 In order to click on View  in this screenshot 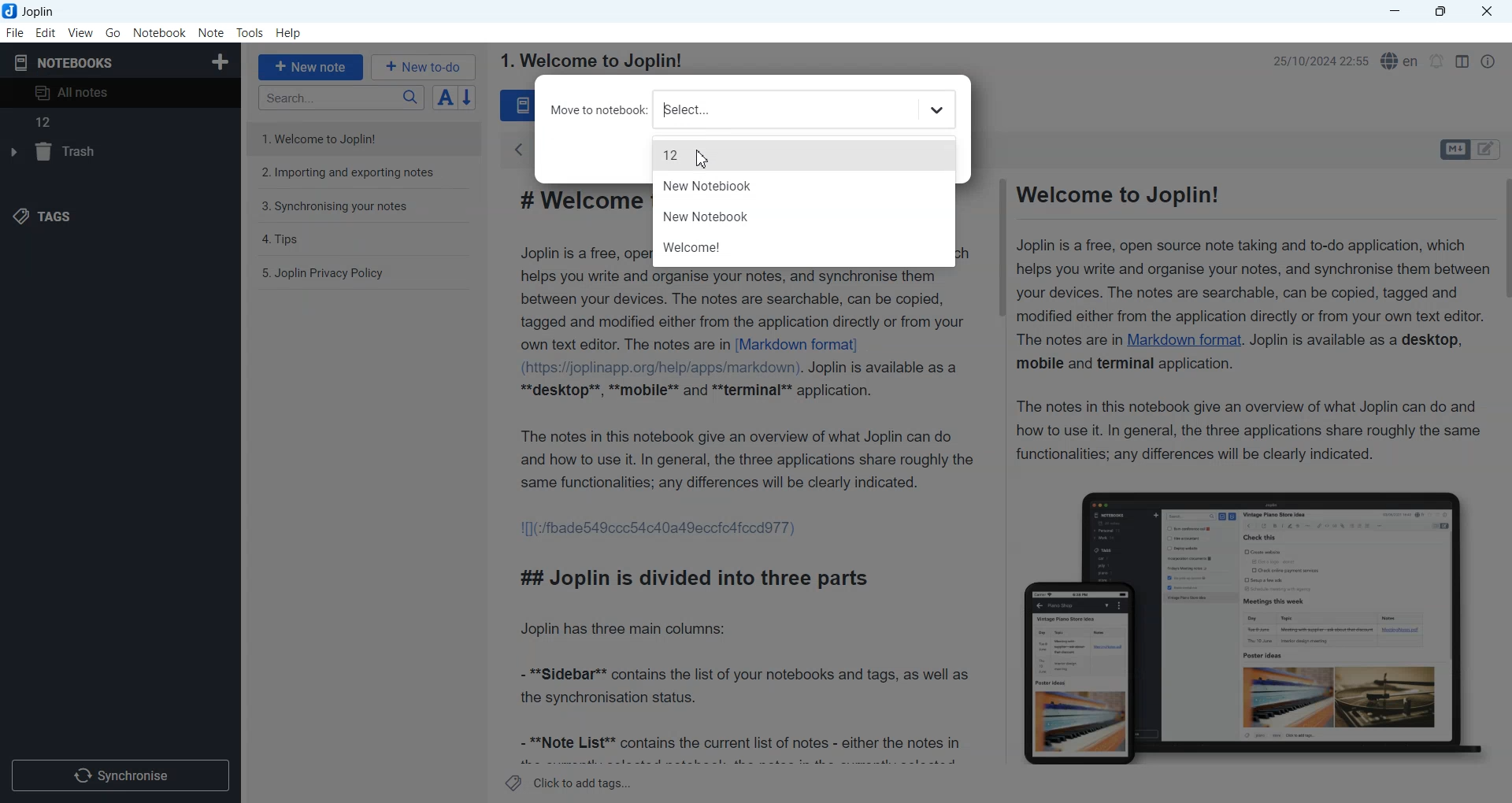, I will do `click(80, 32)`.